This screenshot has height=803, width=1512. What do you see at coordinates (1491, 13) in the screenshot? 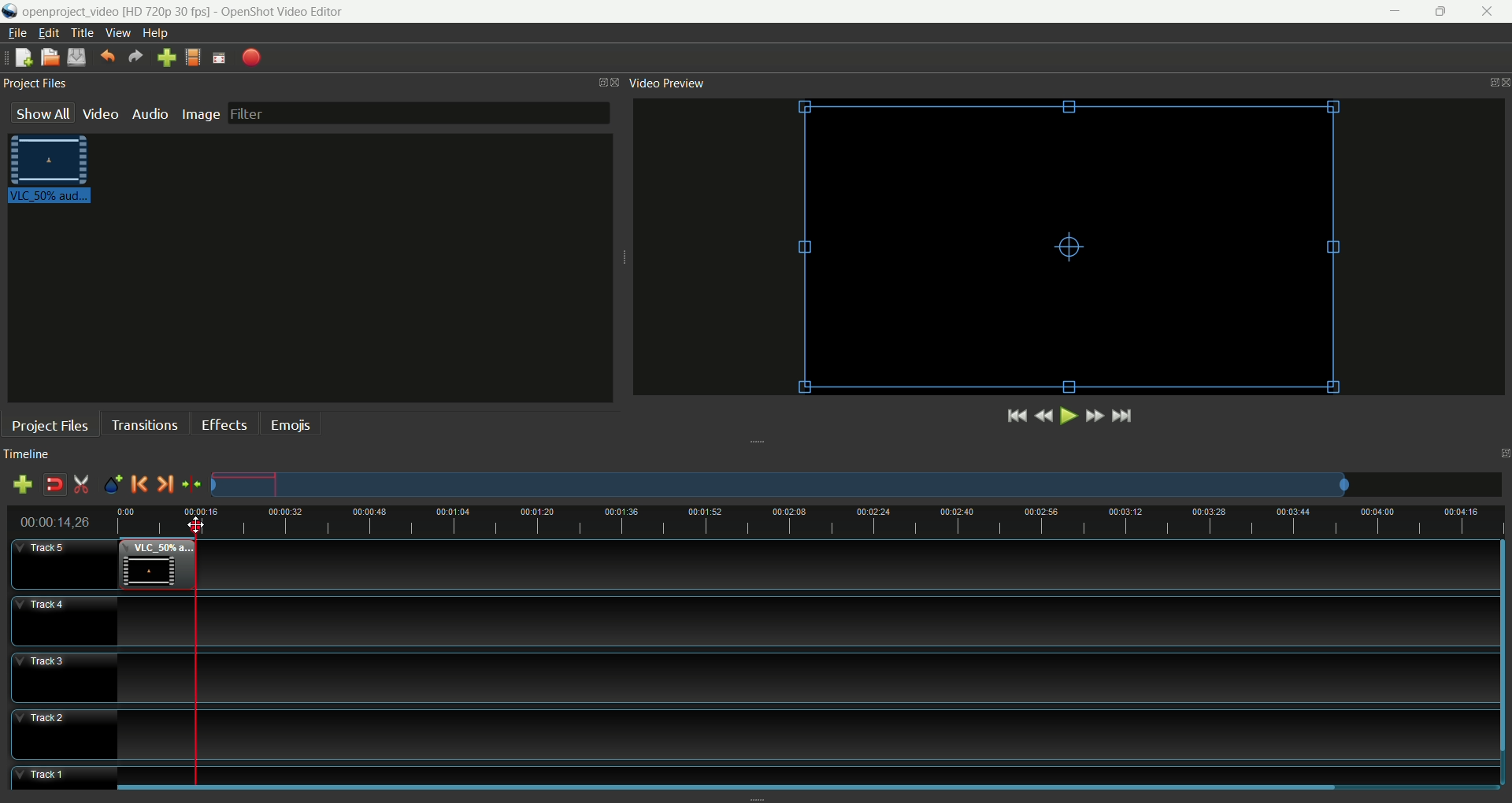
I see `close` at bounding box center [1491, 13].